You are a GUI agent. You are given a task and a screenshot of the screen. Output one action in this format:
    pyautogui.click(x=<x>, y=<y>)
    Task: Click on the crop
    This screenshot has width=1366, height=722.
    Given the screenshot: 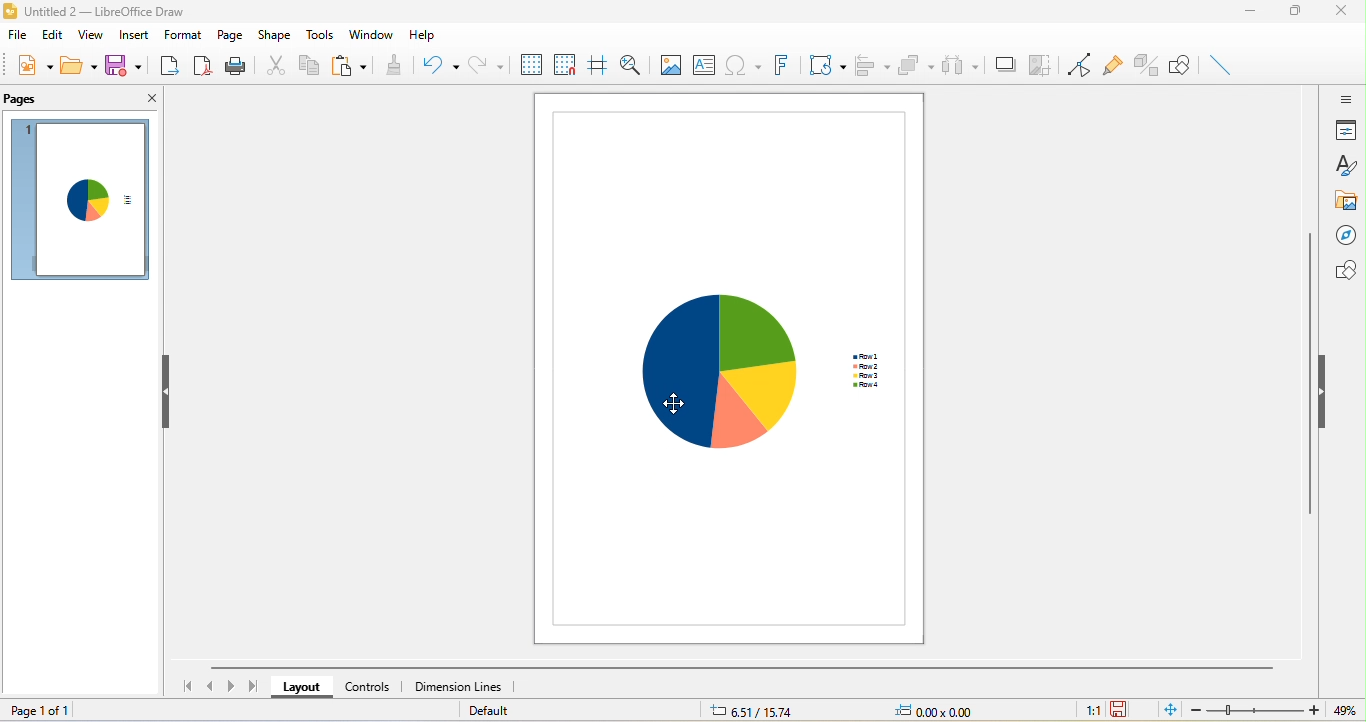 What is the action you would take?
    pyautogui.click(x=1038, y=63)
    